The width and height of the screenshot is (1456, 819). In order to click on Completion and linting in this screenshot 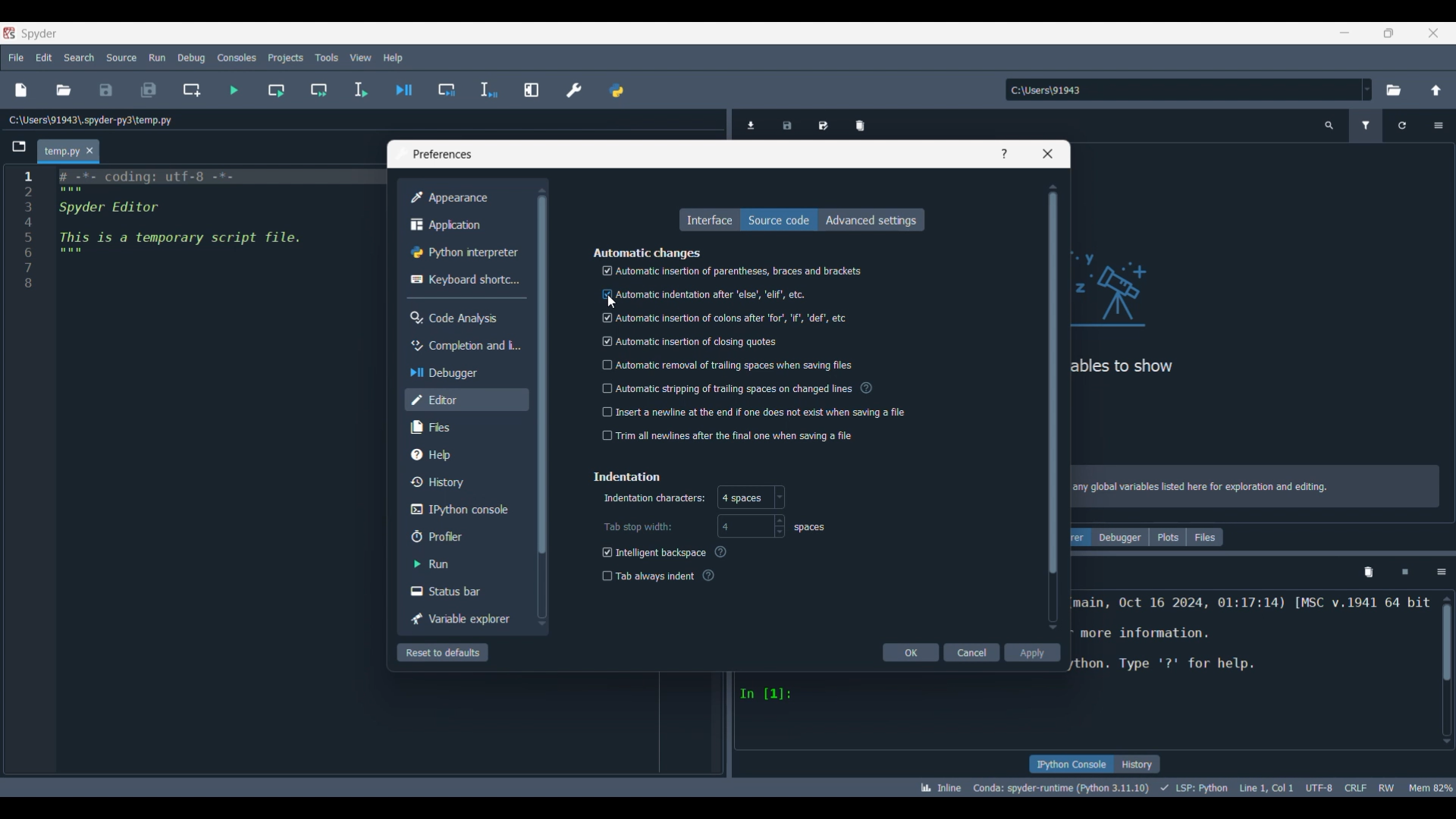, I will do `click(464, 347)`.